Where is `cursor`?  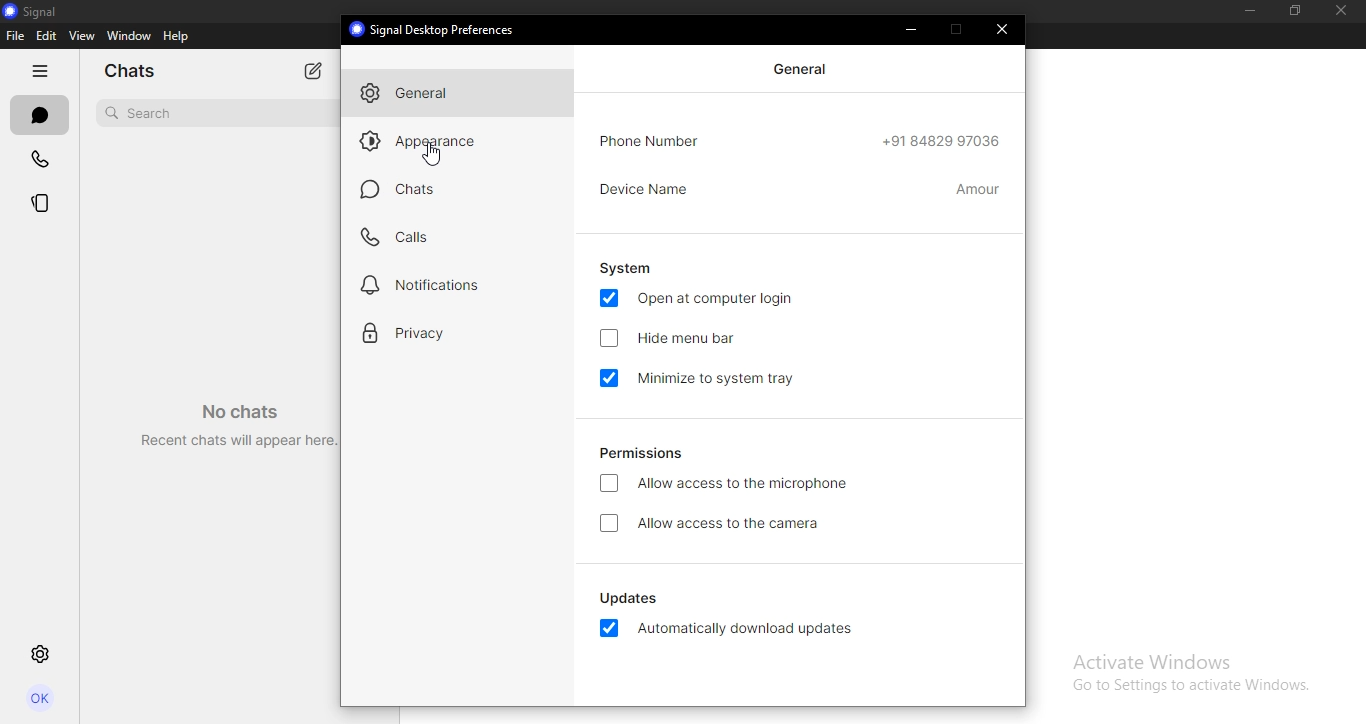 cursor is located at coordinates (434, 154).